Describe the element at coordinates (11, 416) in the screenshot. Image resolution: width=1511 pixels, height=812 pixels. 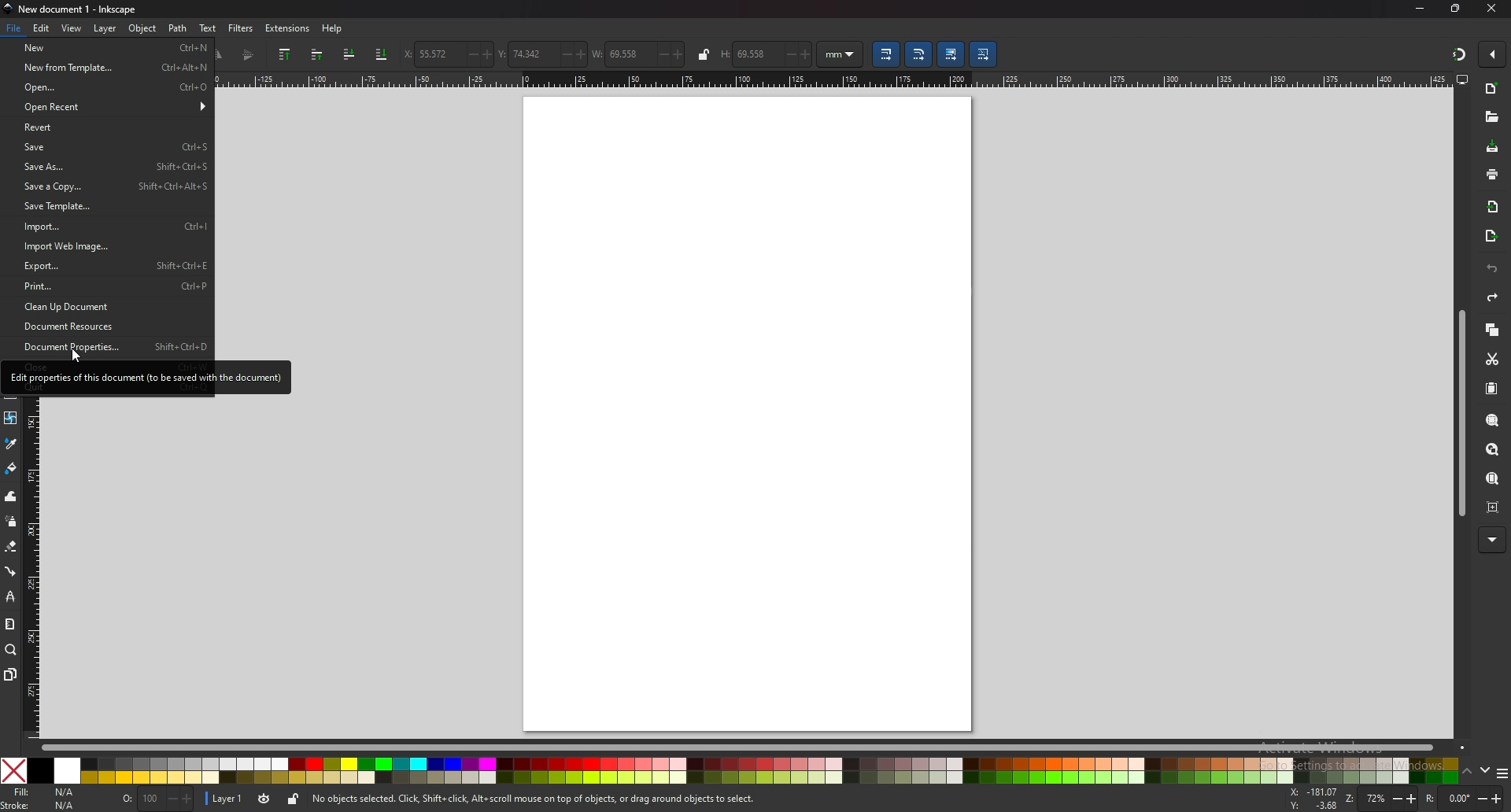
I see `mesh` at that location.